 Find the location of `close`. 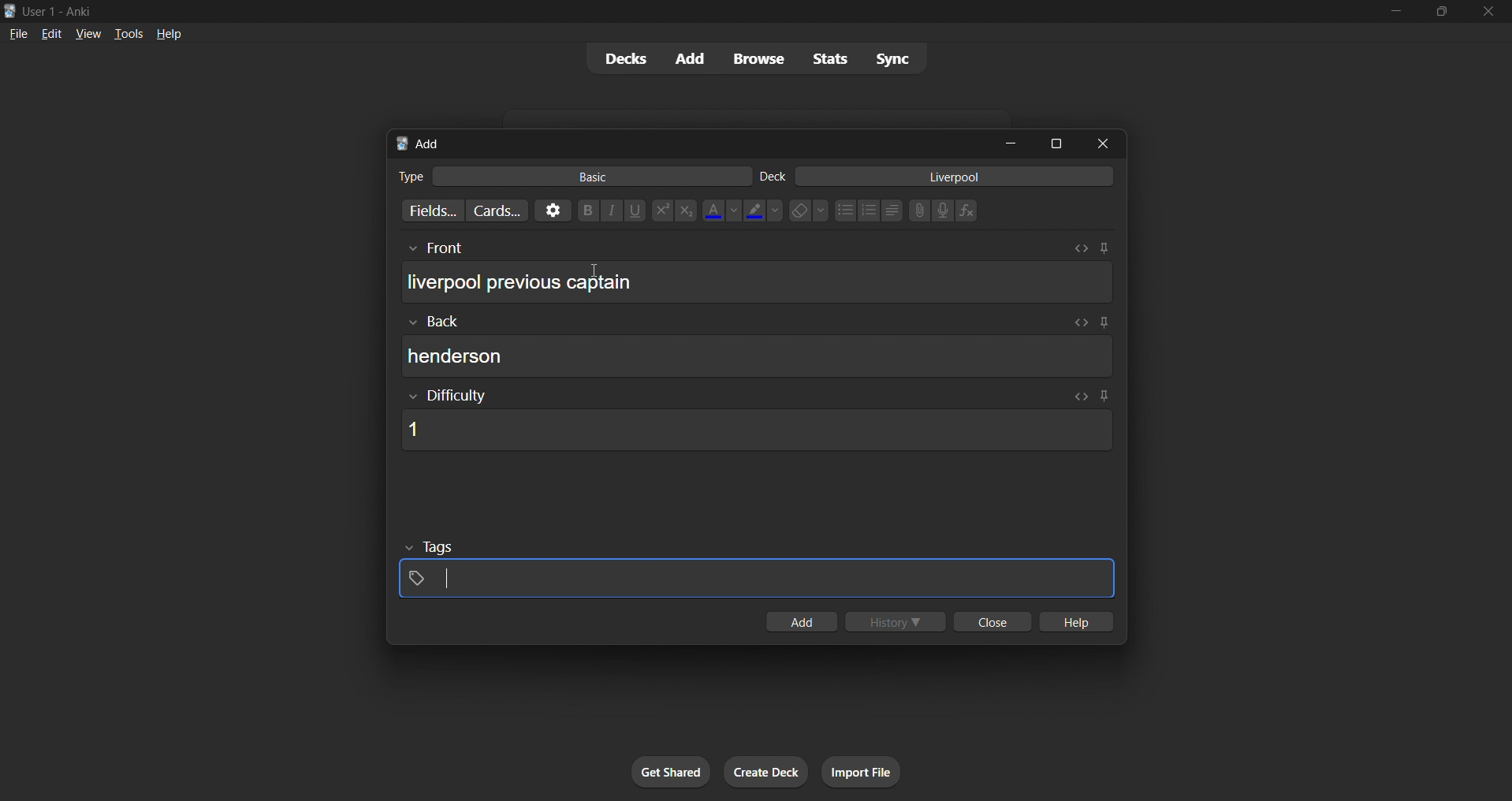

close is located at coordinates (1108, 143).